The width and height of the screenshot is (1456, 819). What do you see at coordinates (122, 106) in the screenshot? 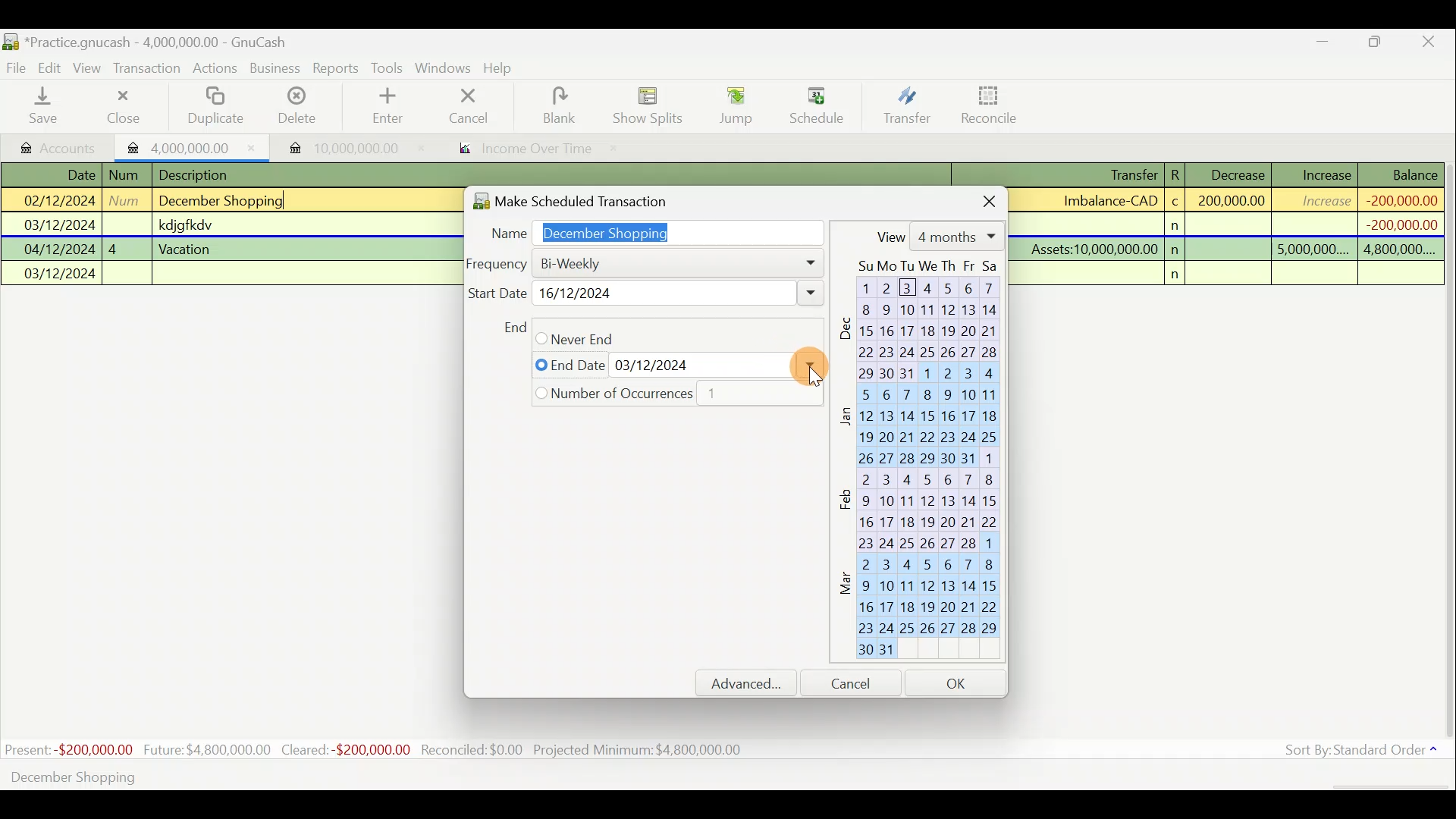
I see `Close` at bounding box center [122, 106].